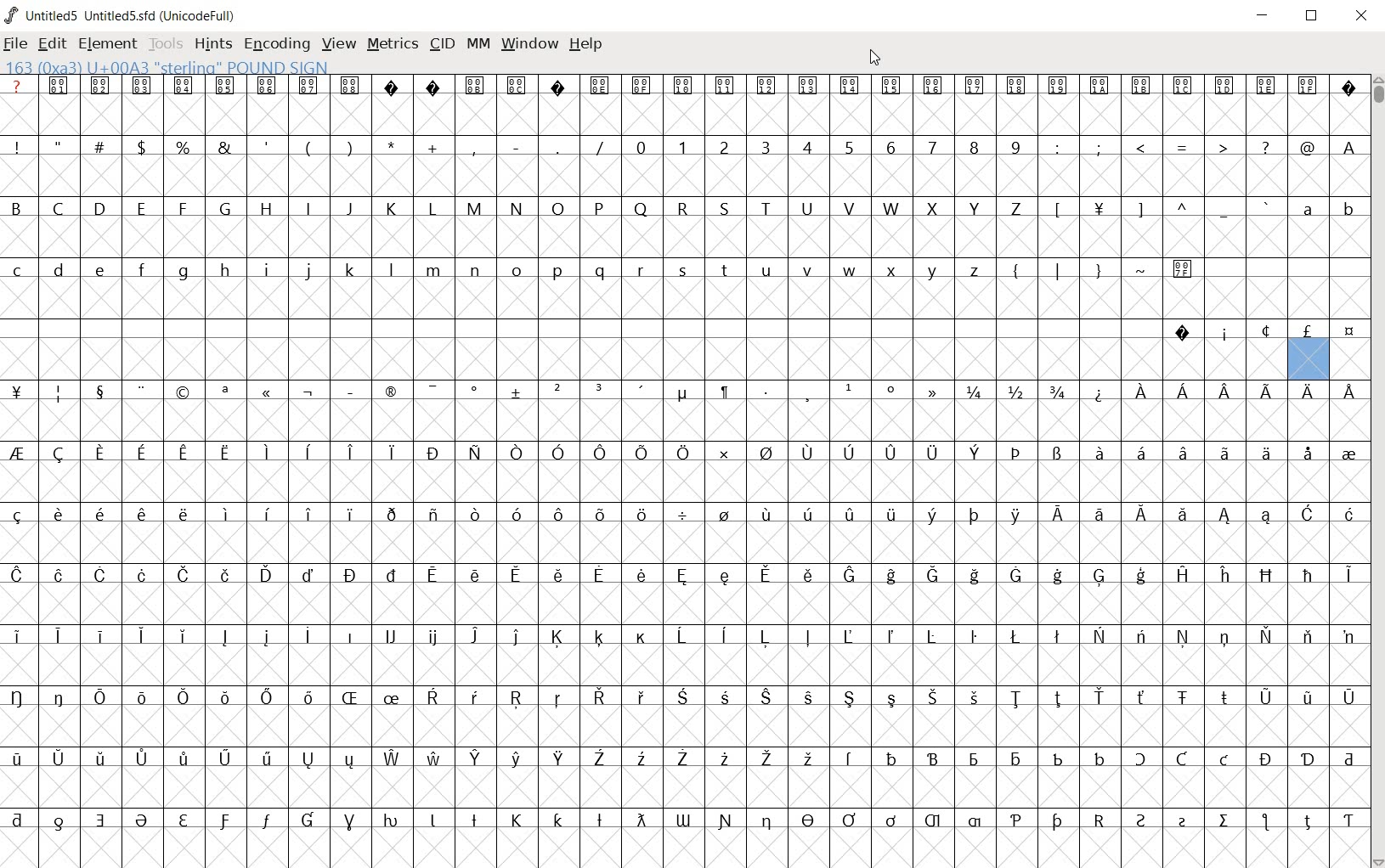 The height and width of the screenshot is (868, 1385). I want to click on Symbol, so click(265, 637).